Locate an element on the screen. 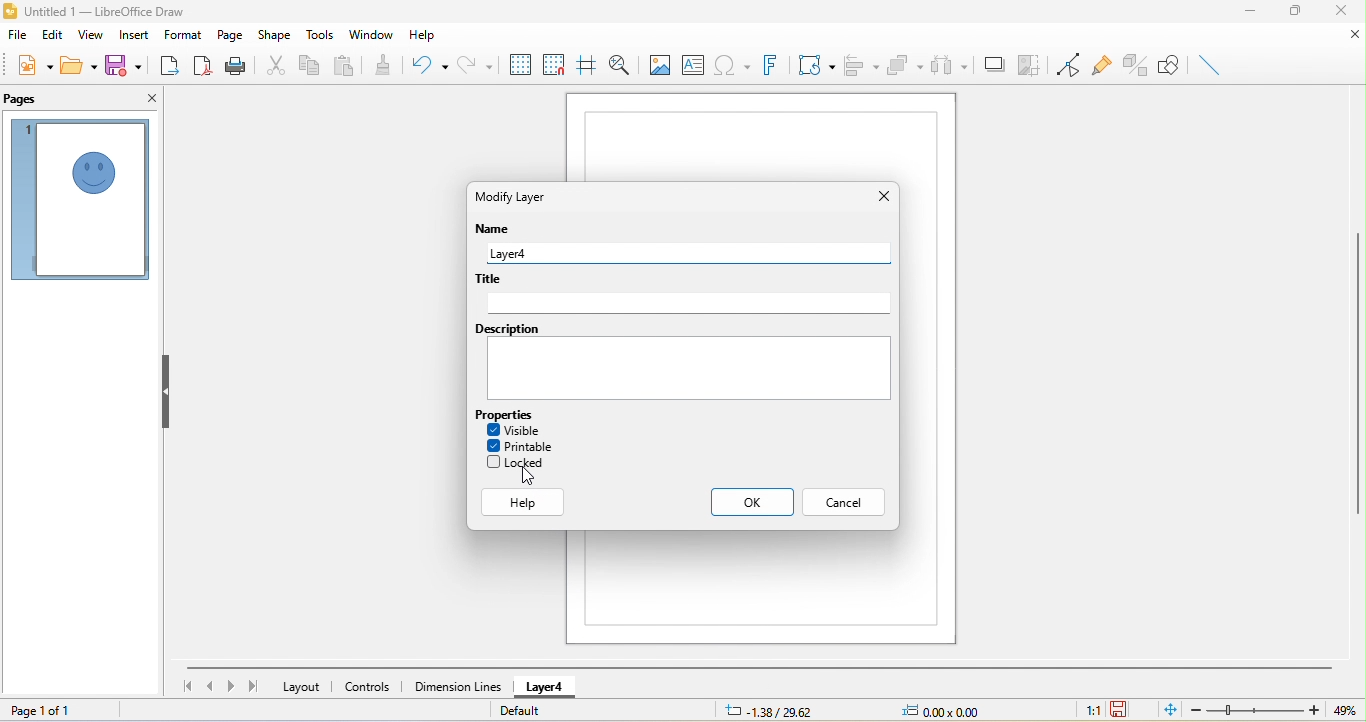 This screenshot has height=722, width=1366. font work text is located at coordinates (772, 63).